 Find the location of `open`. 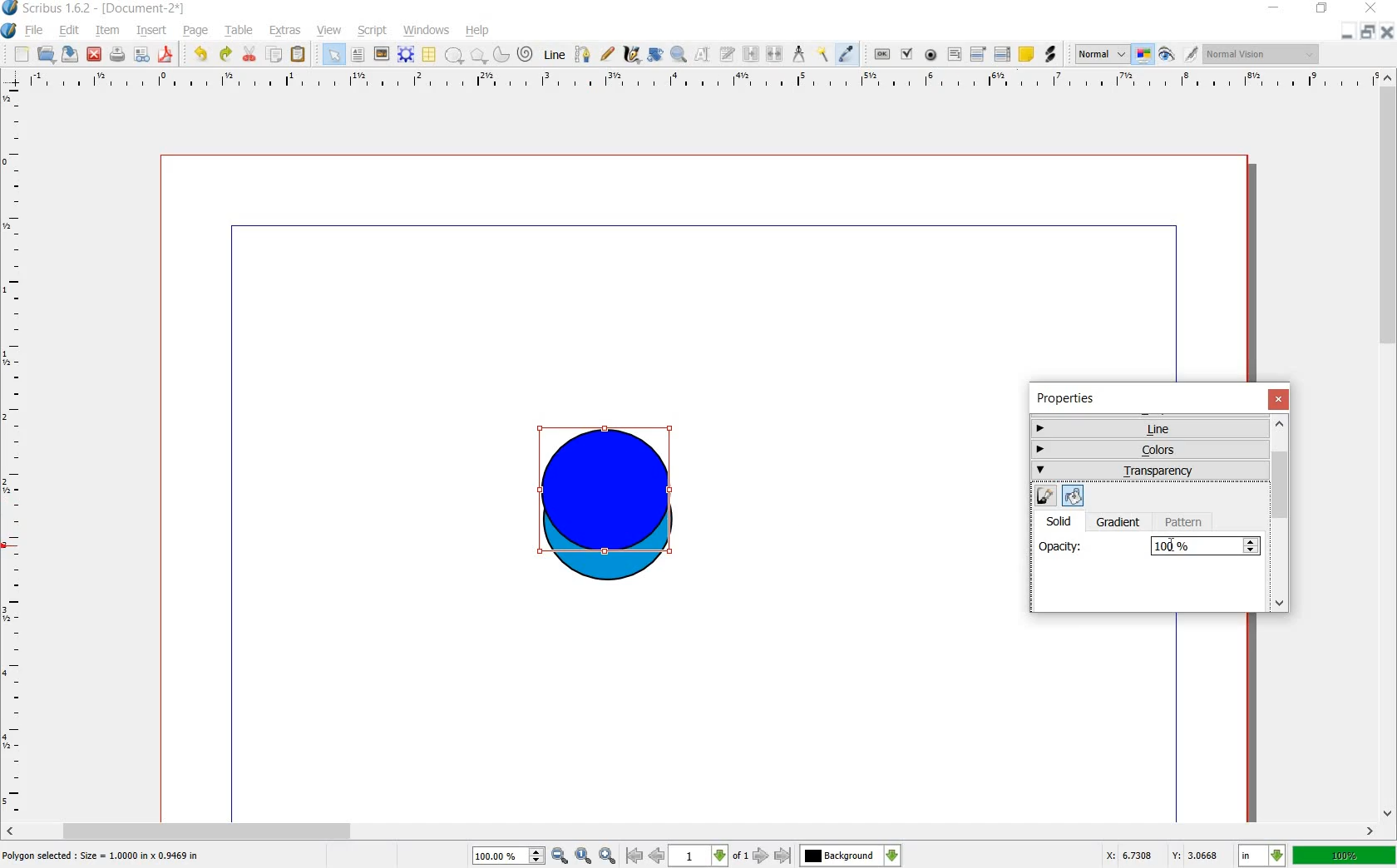

open is located at coordinates (45, 54).